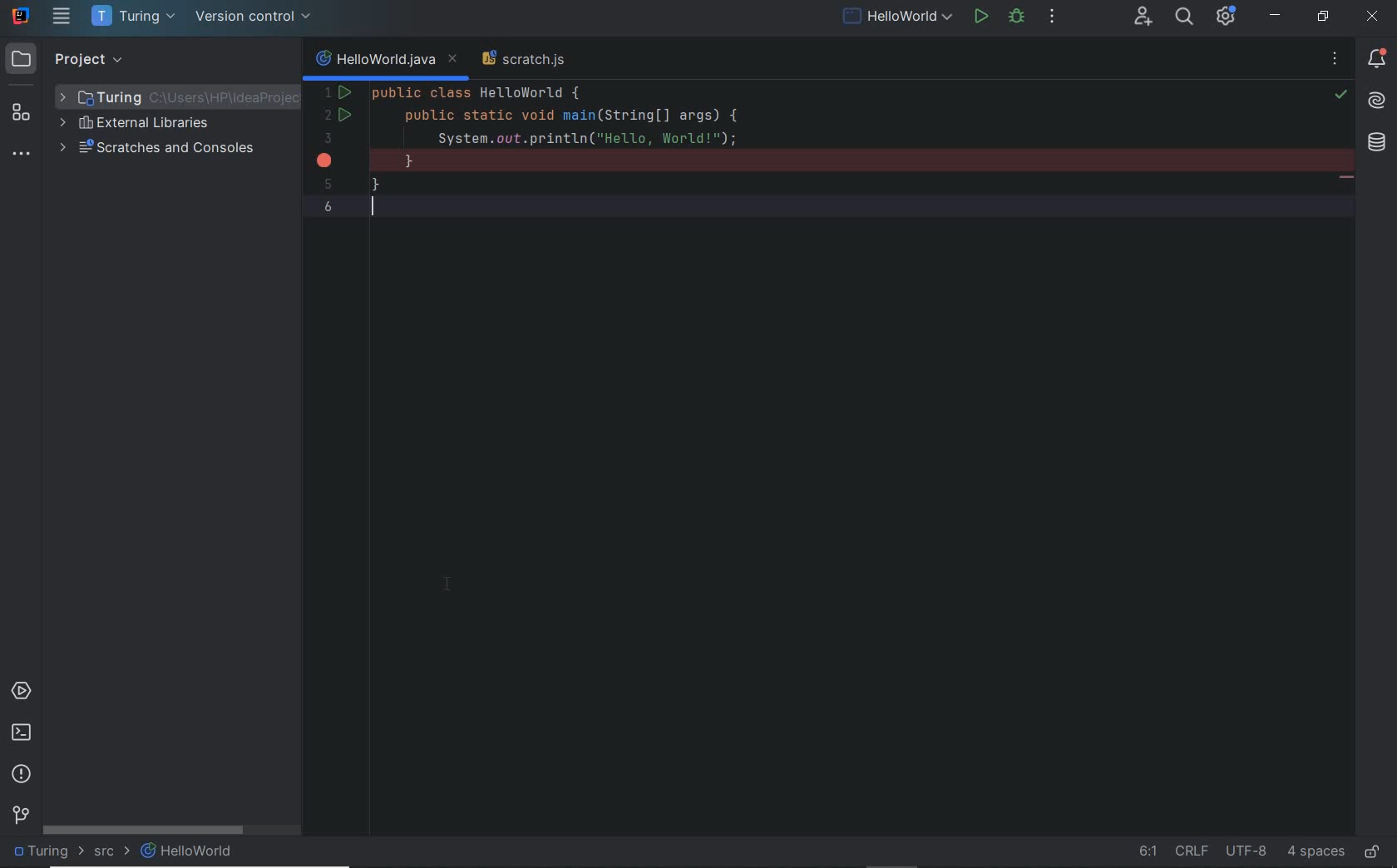 This screenshot has height=868, width=1397. I want to click on problems, so click(20, 773).